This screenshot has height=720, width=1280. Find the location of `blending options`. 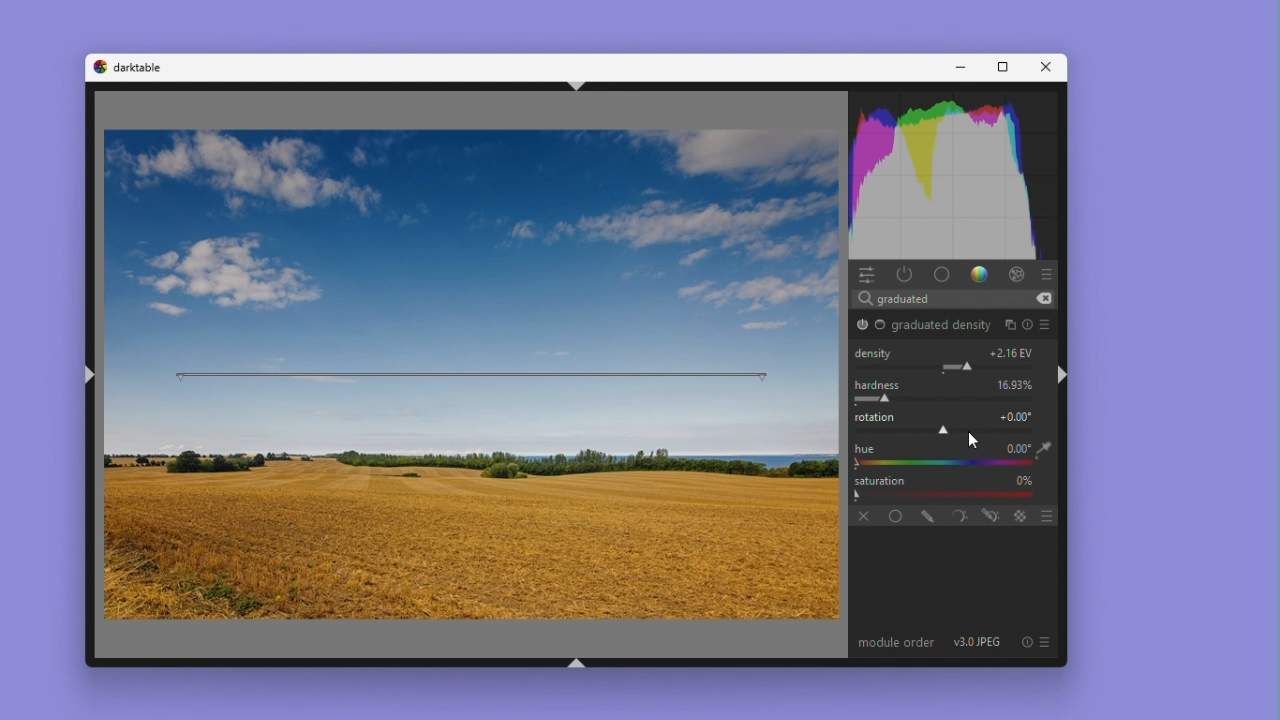

blending options is located at coordinates (1046, 515).